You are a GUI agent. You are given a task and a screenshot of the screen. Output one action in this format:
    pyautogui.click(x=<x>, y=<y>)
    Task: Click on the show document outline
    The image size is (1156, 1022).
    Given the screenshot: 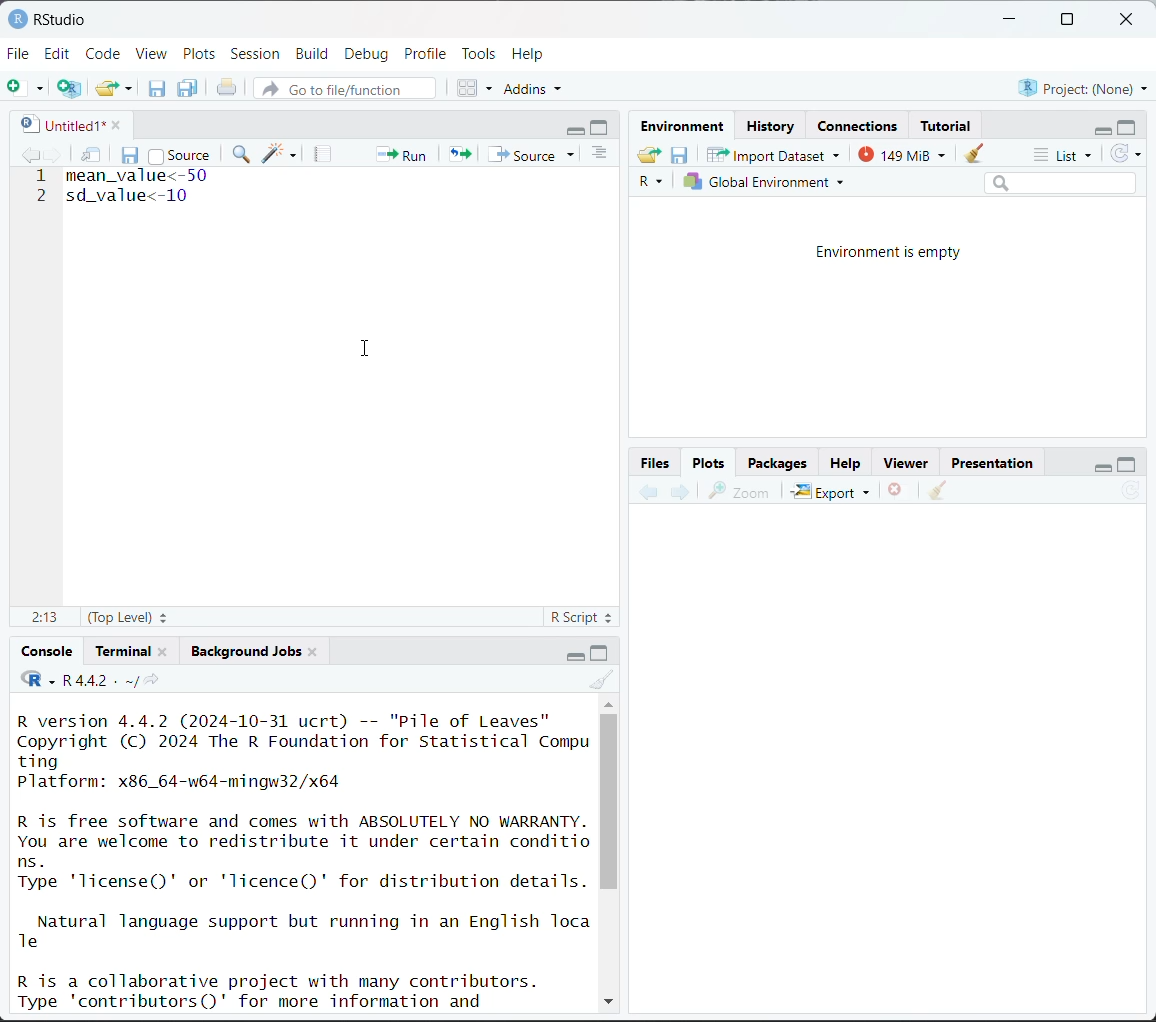 What is the action you would take?
    pyautogui.click(x=603, y=155)
    